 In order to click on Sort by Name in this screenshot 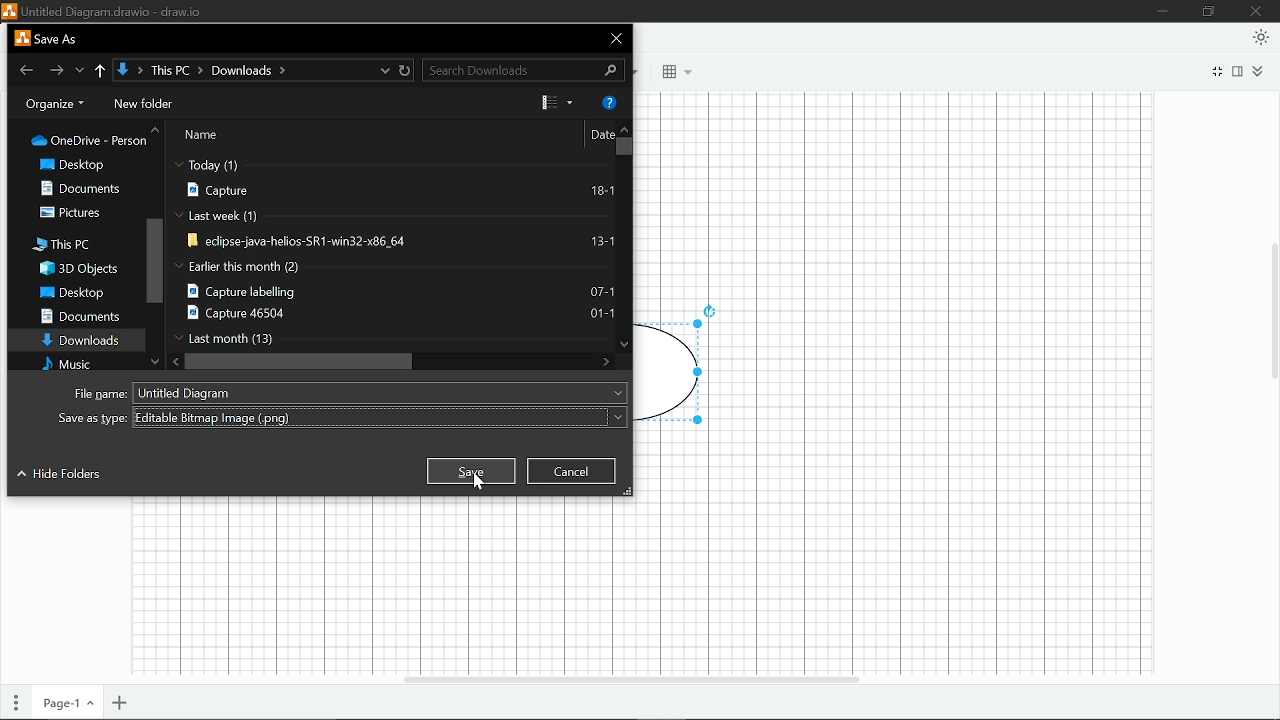, I will do `click(242, 135)`.